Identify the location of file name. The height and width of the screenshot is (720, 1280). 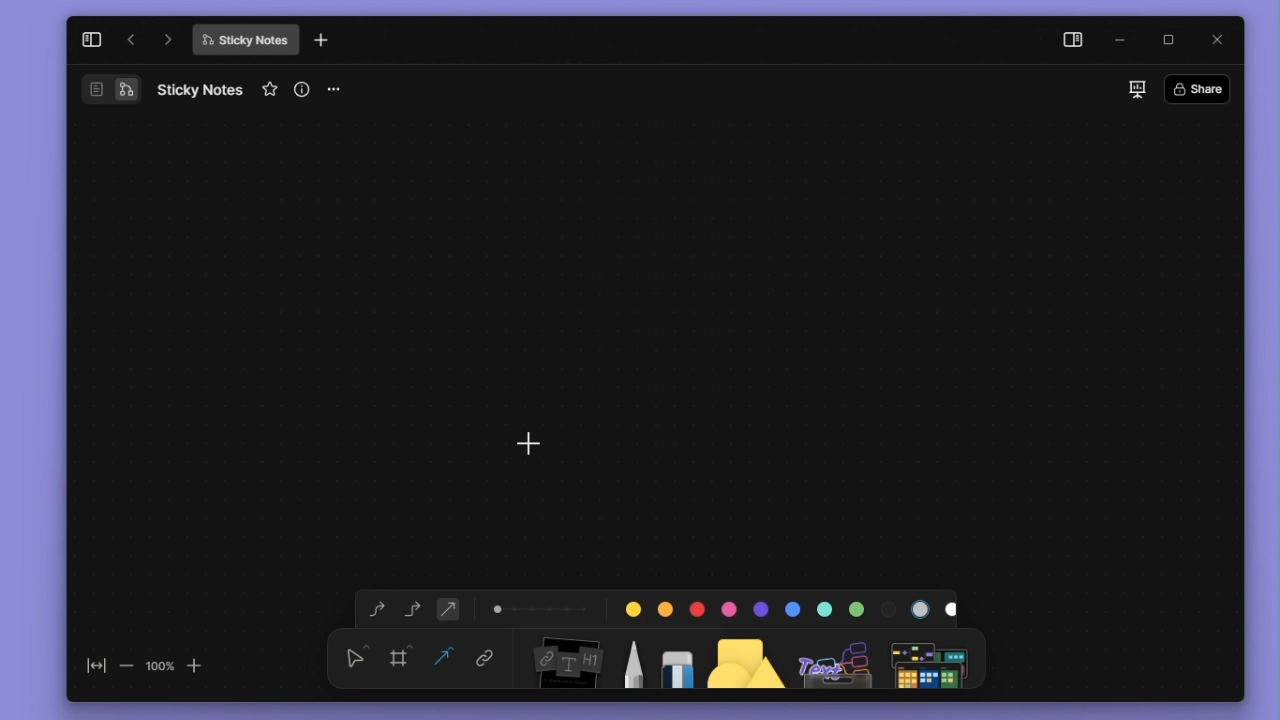
(245, 40).